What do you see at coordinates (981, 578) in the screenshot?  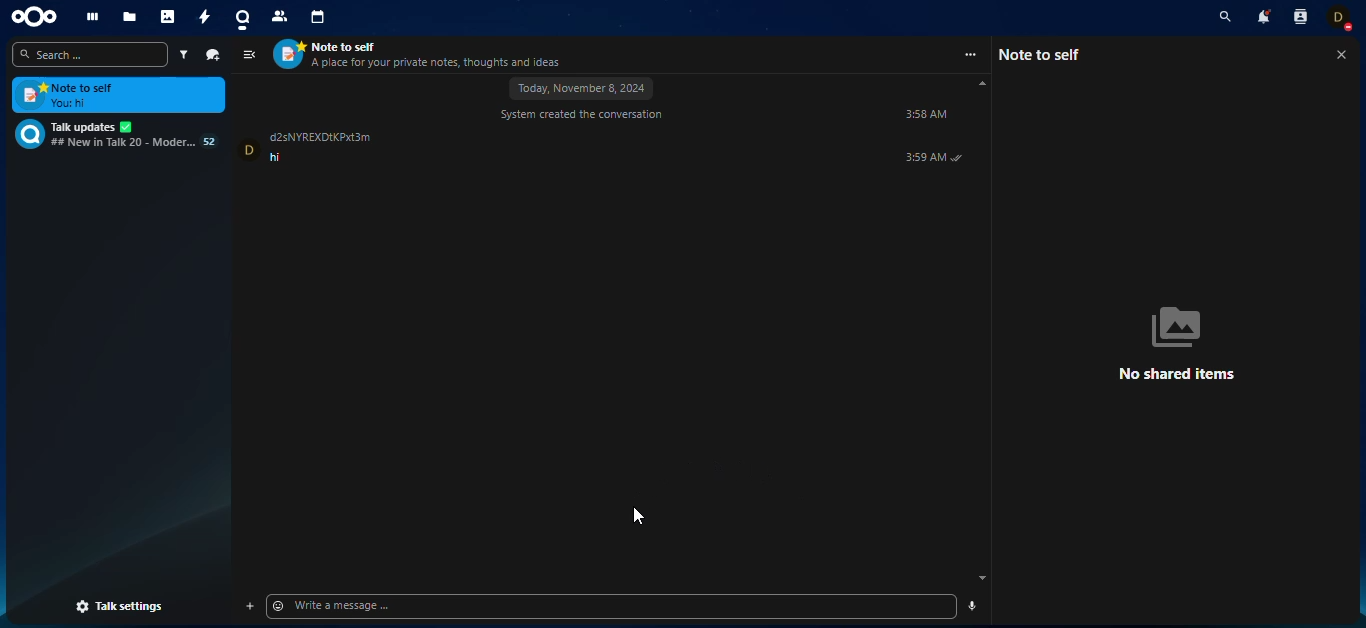 I see `scroll down` at bounding box center [981, 578].